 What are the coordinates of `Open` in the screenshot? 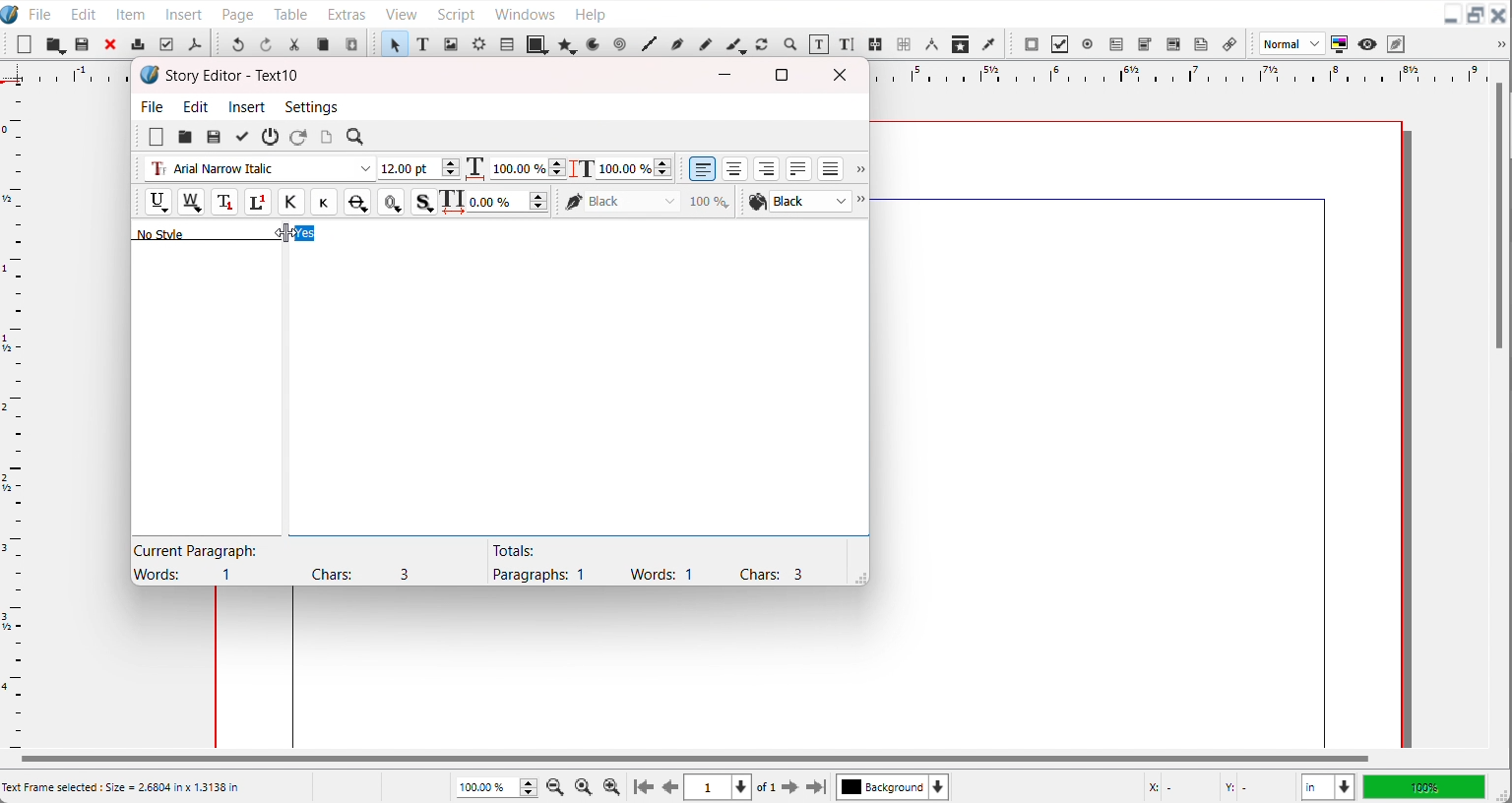 It's located at (84, 45).